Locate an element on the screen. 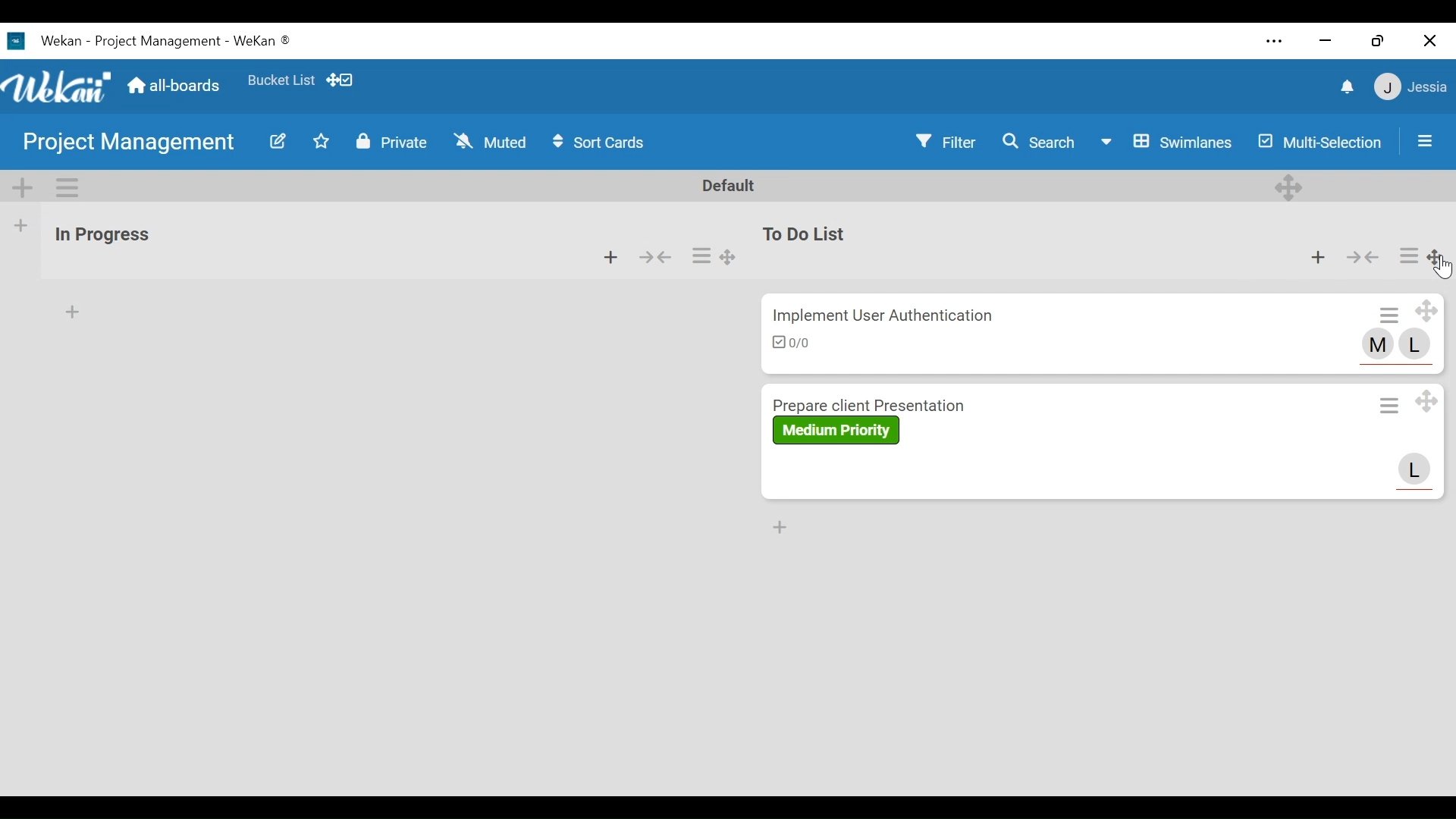 The image size is (1456, 819). Card Actions is located at coordinates (1391, 313).